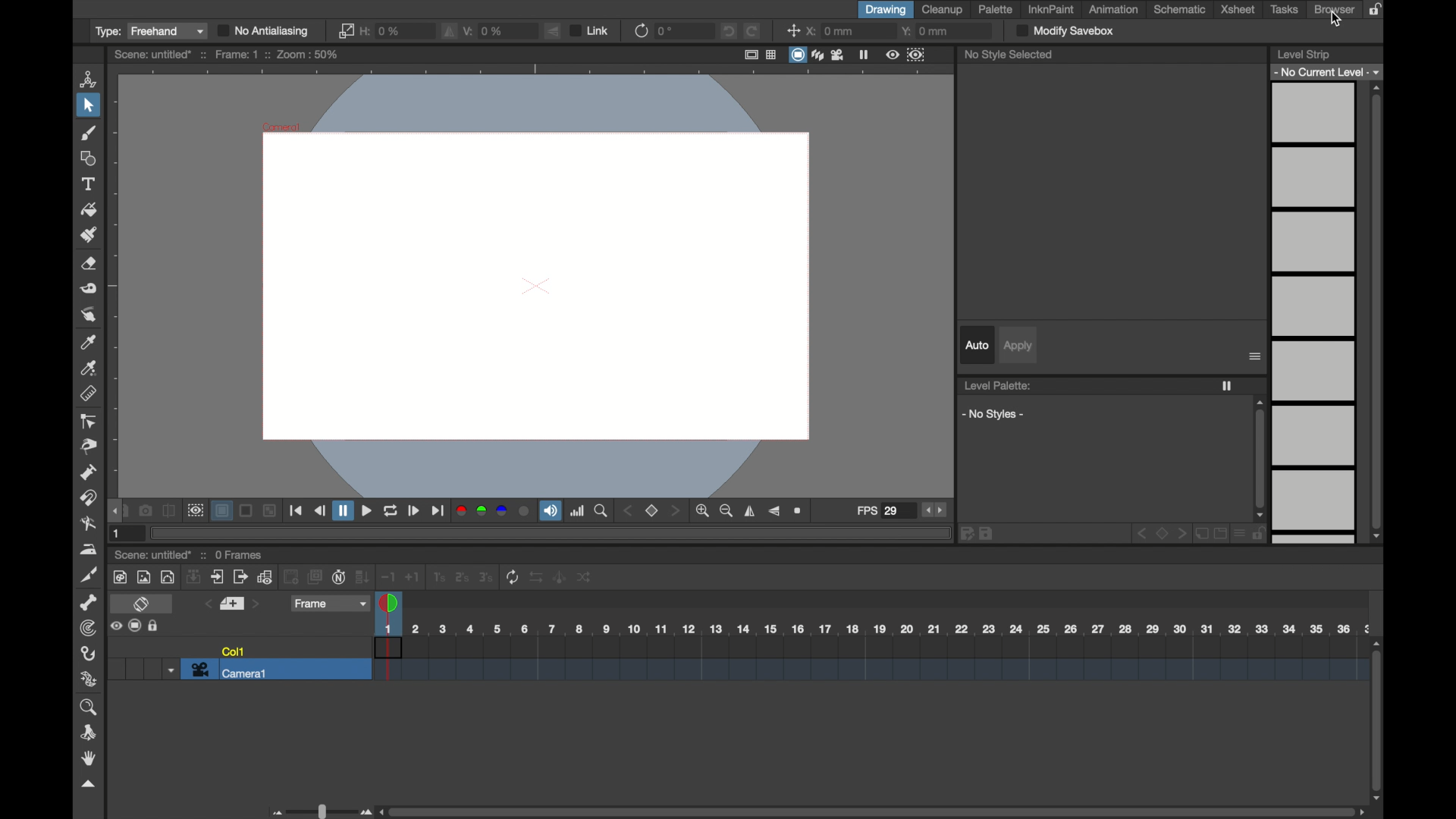 This screenshot has width=1456, height=819. Describe the element at coordinates (998, 385) in the screenshot. I see `level palette` at that location.